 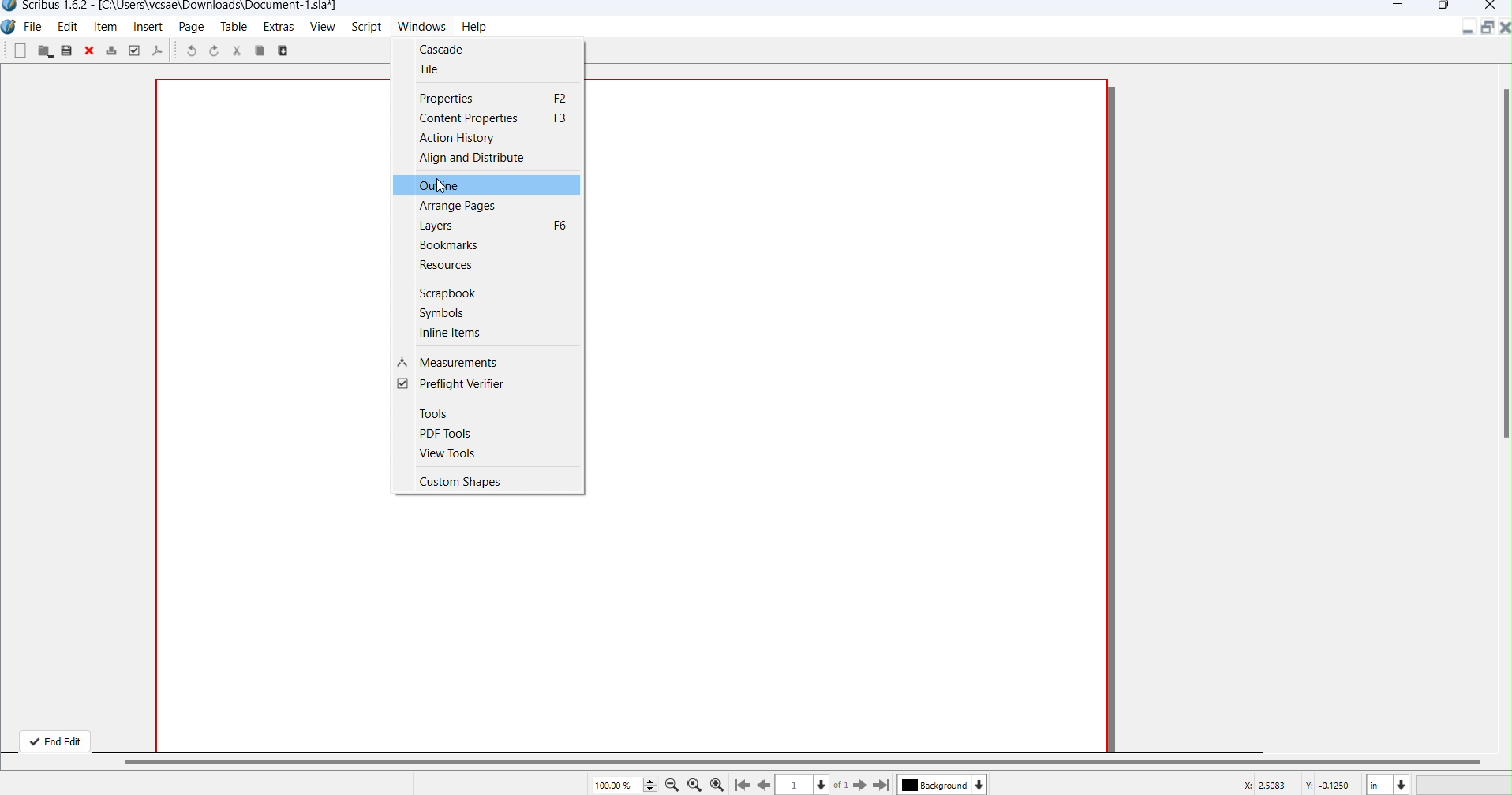 I want to click on , so click(x=68, y=50).